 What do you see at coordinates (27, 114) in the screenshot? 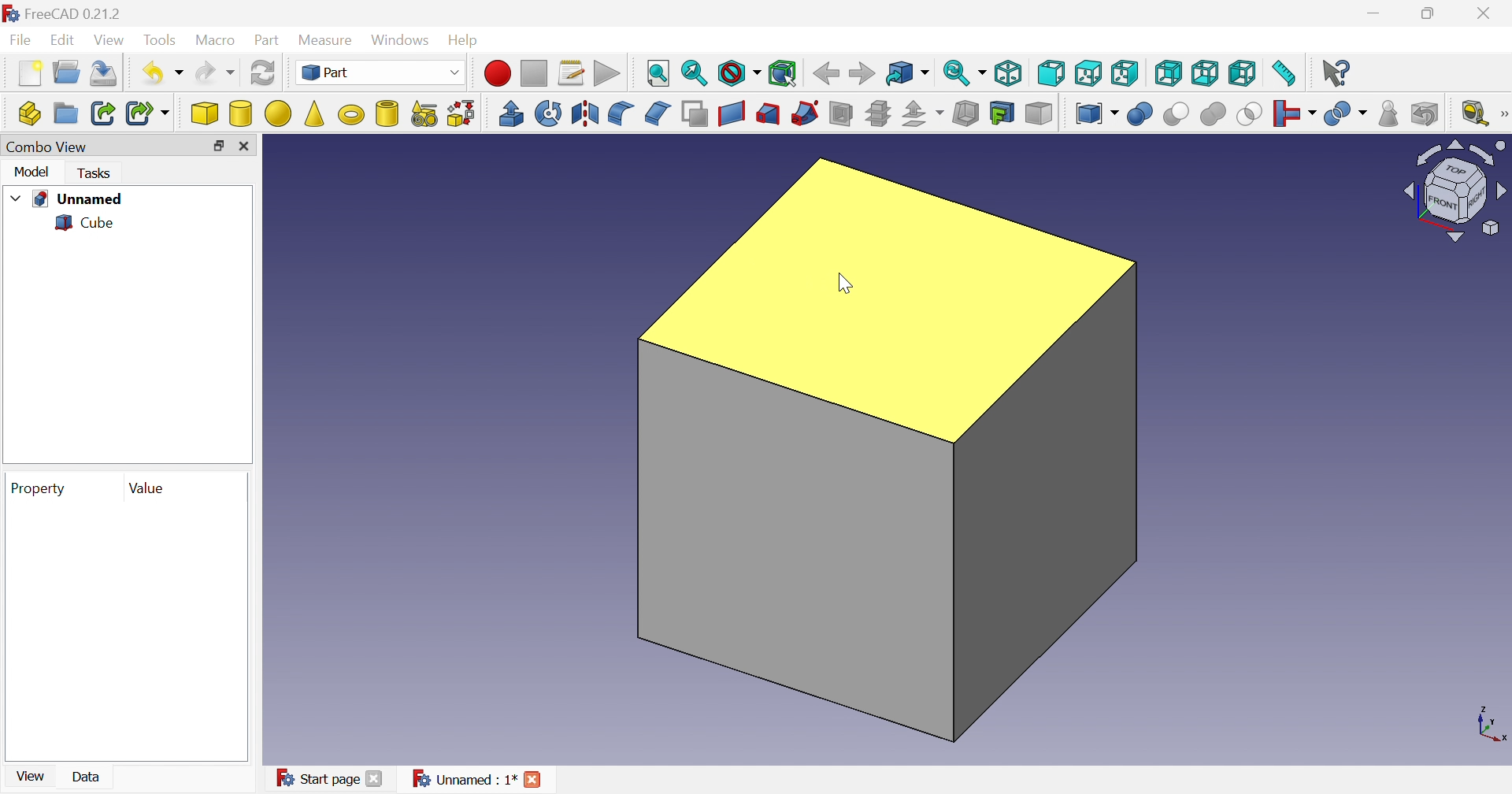
I see `Create part` at bounding box center [27, 114].